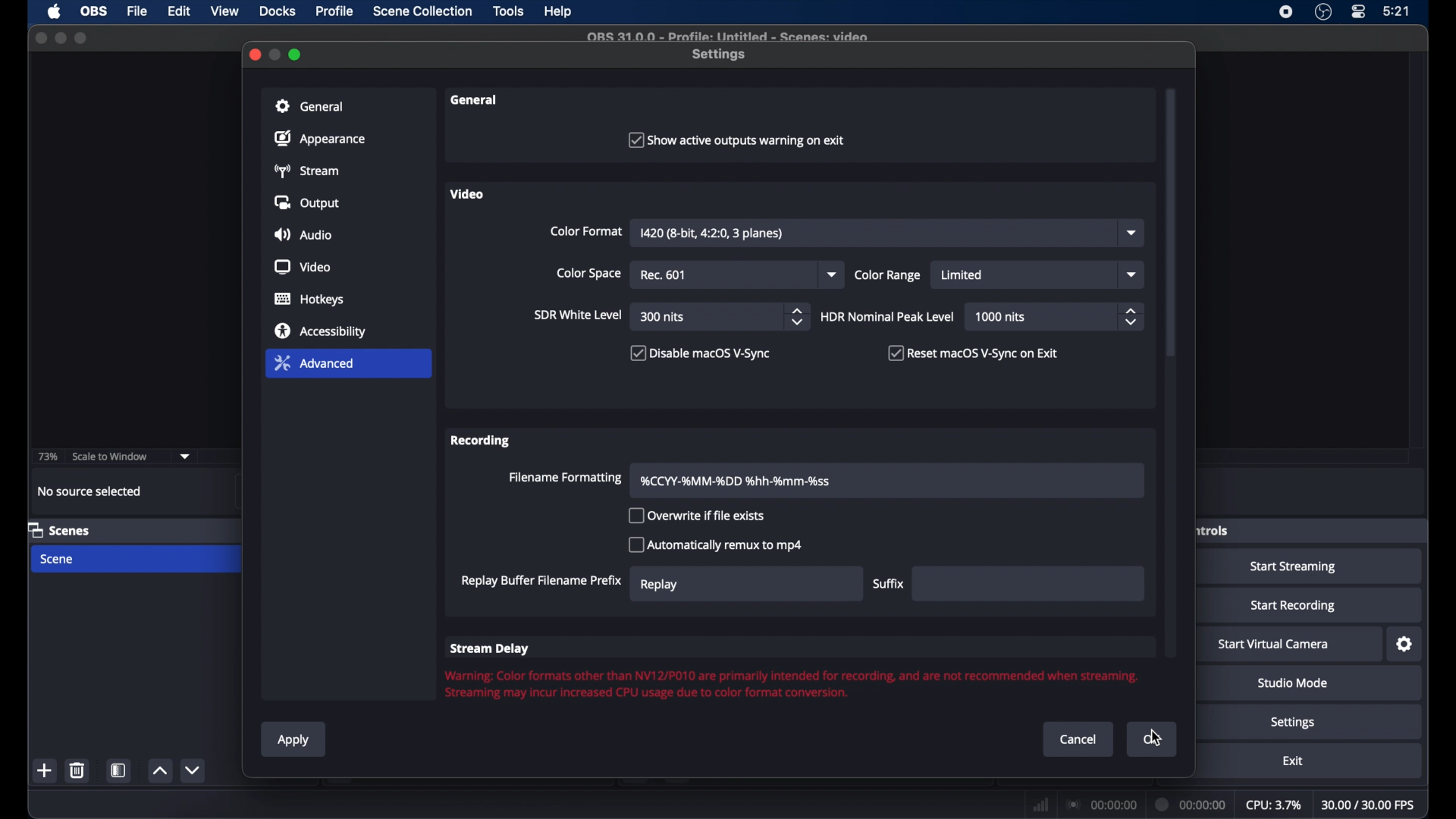  I want to click on automatically remux to mp4, so click(716, 544).